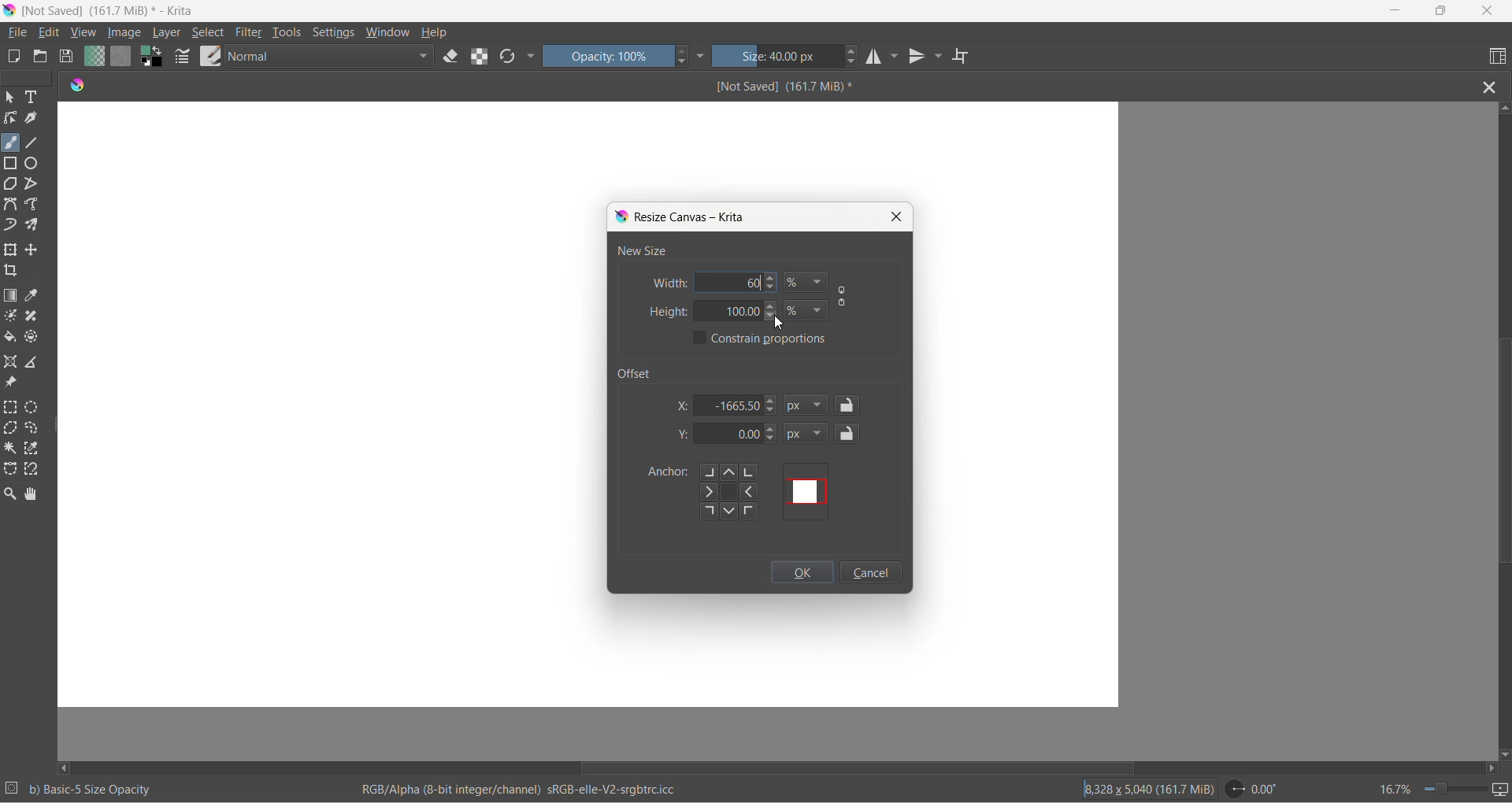  I want to click on minimize, so click(1396, 12).